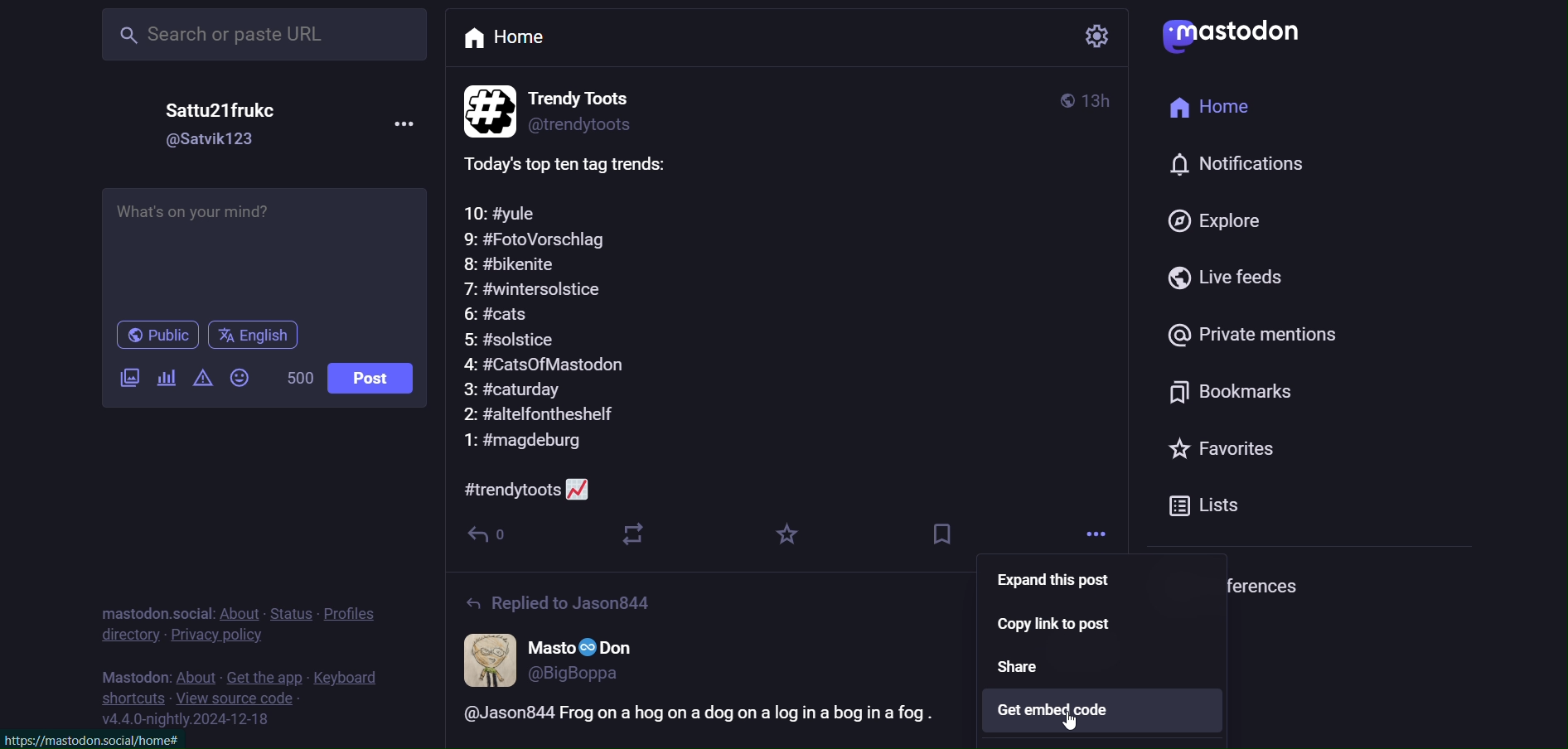 The height and width of the screenshot is (749, 1568). I want to click on get the app, so click(264, 674).